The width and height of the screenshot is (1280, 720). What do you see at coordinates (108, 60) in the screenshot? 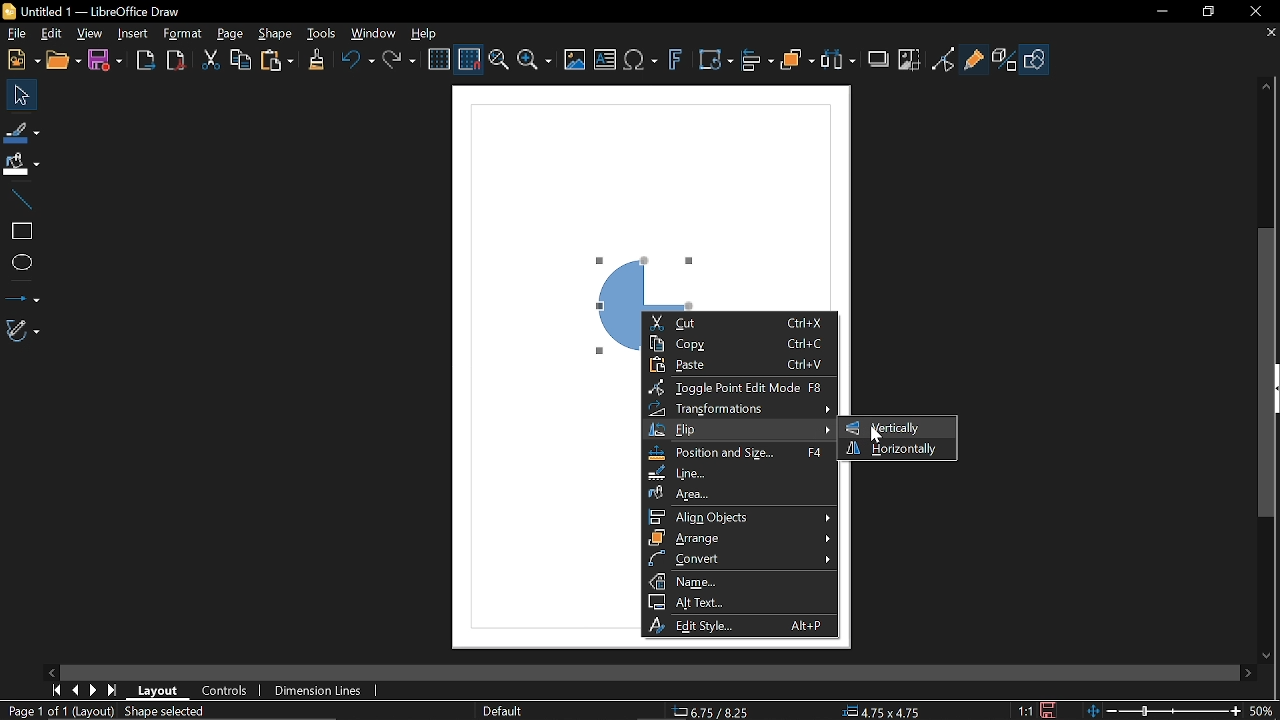
I see `Save` at bounding box center [108, 60].